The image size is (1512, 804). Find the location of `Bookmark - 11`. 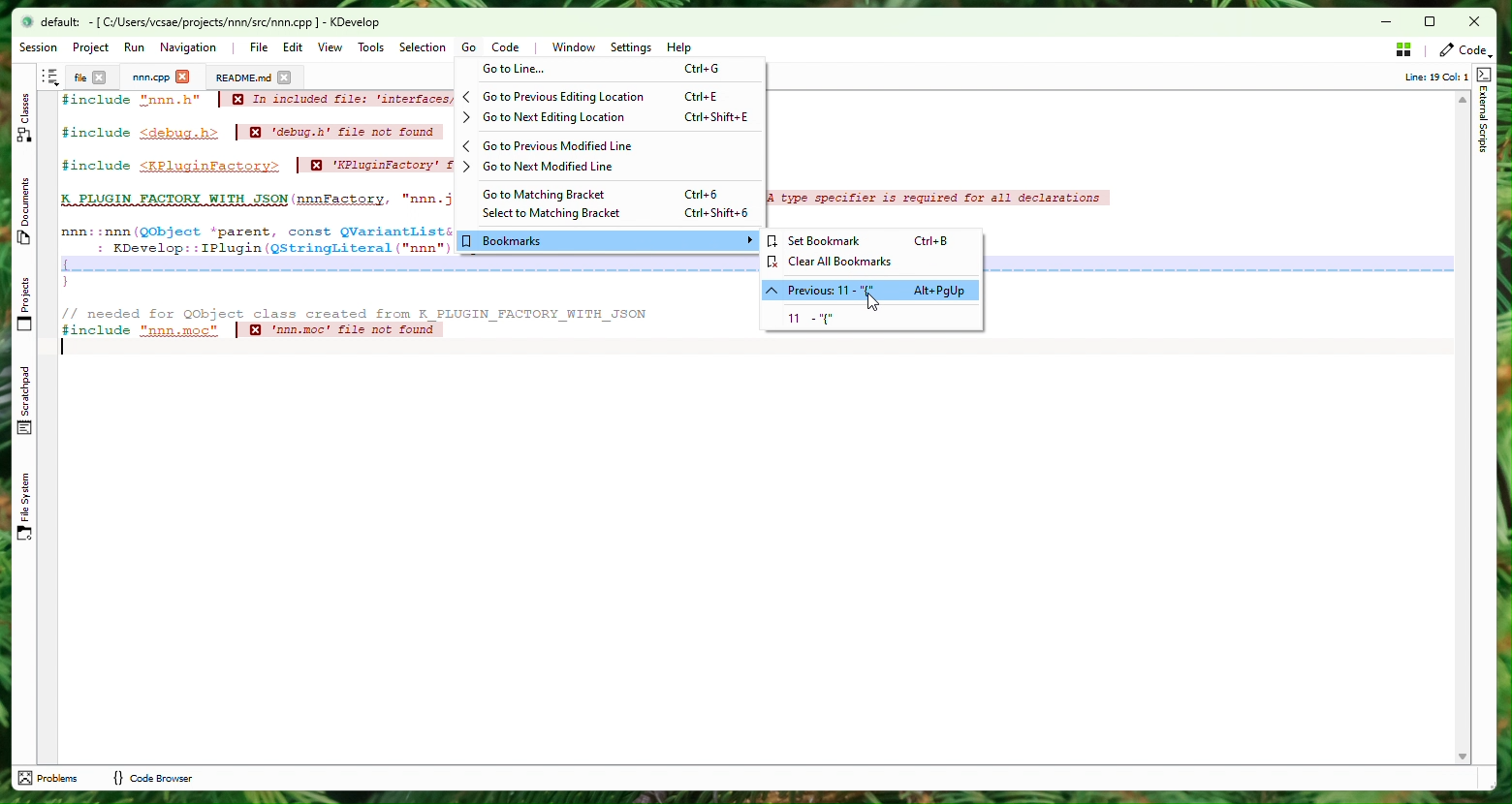

Bookmark - 11 is located at coordinates (870, 318).